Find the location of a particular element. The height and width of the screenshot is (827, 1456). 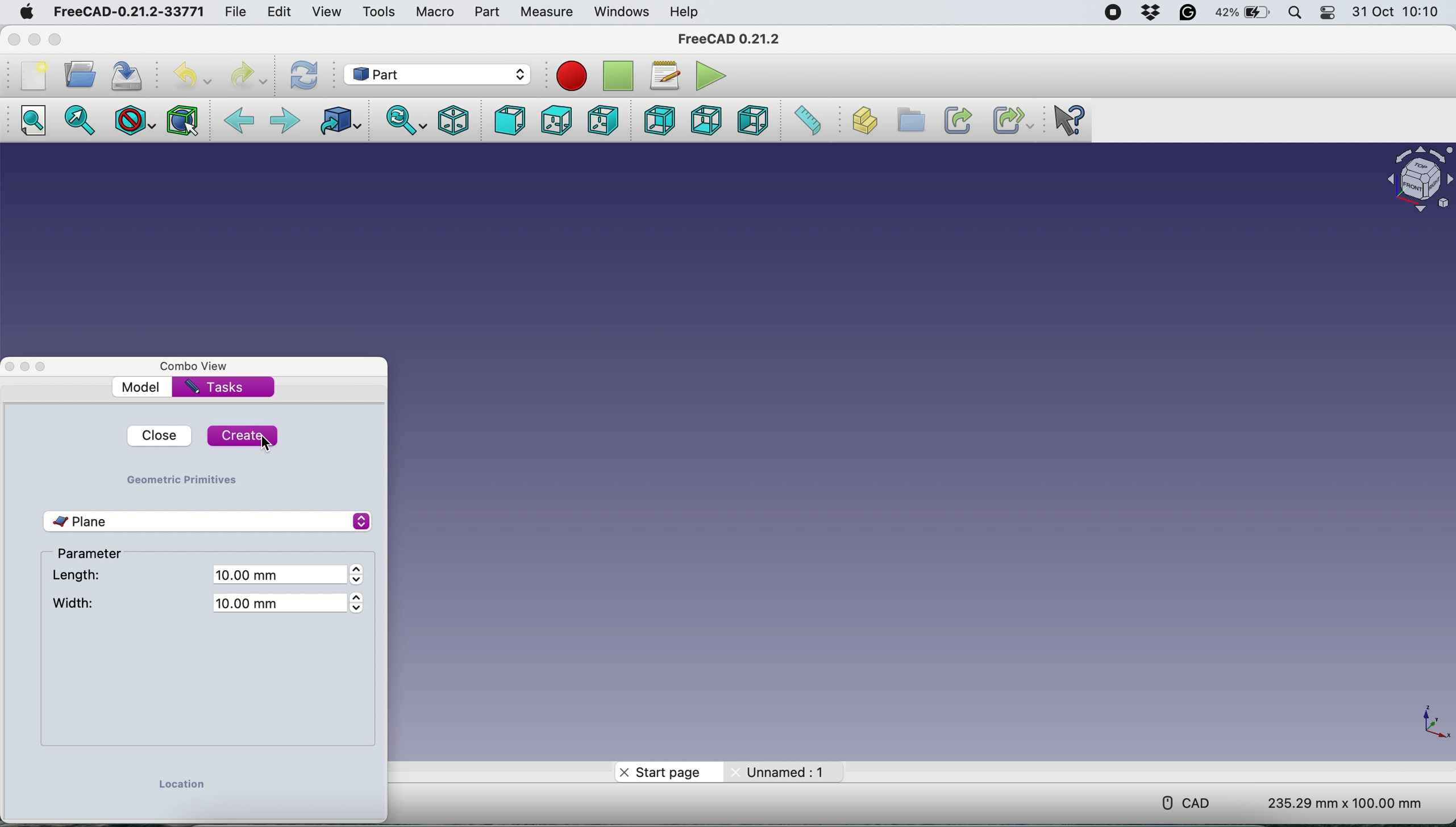

Bottom is located at coordinates (704, 120).